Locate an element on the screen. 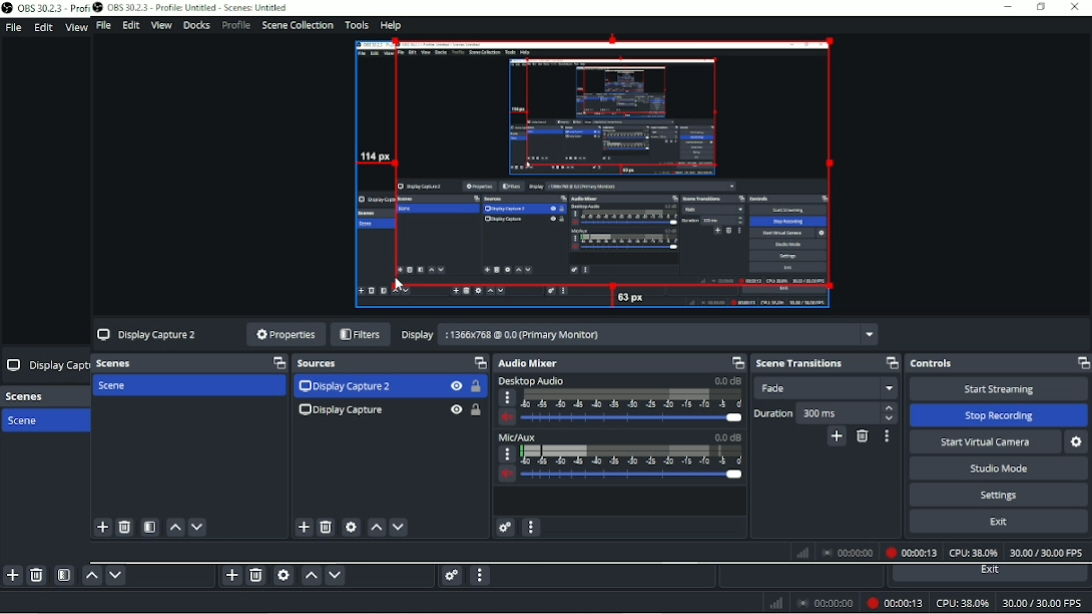 The height and width of the screenshot is (614, 1092). volume is located at coordinates (507, 420).